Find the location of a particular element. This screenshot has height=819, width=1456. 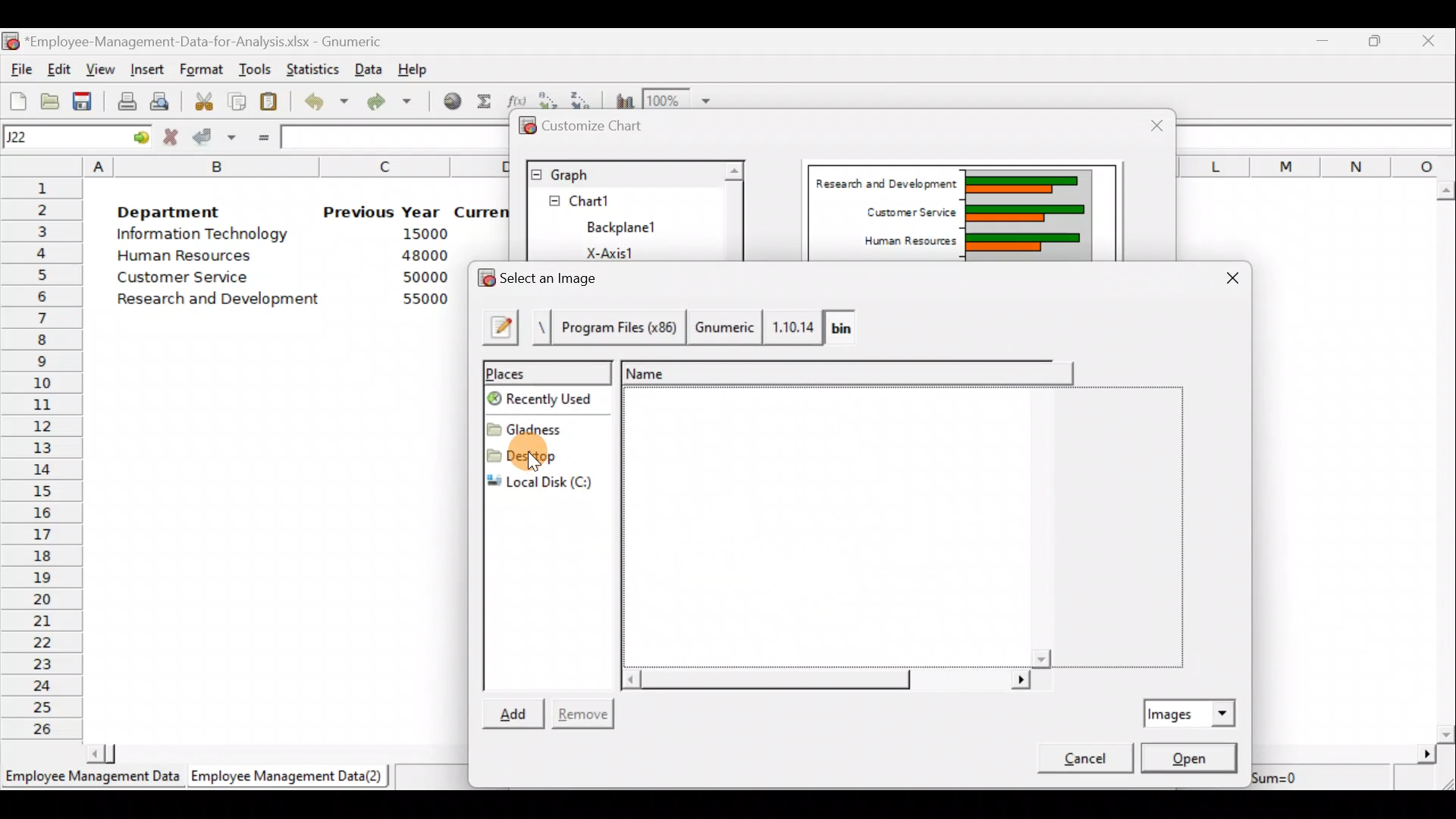

Places is located at coordinates (545, 371).